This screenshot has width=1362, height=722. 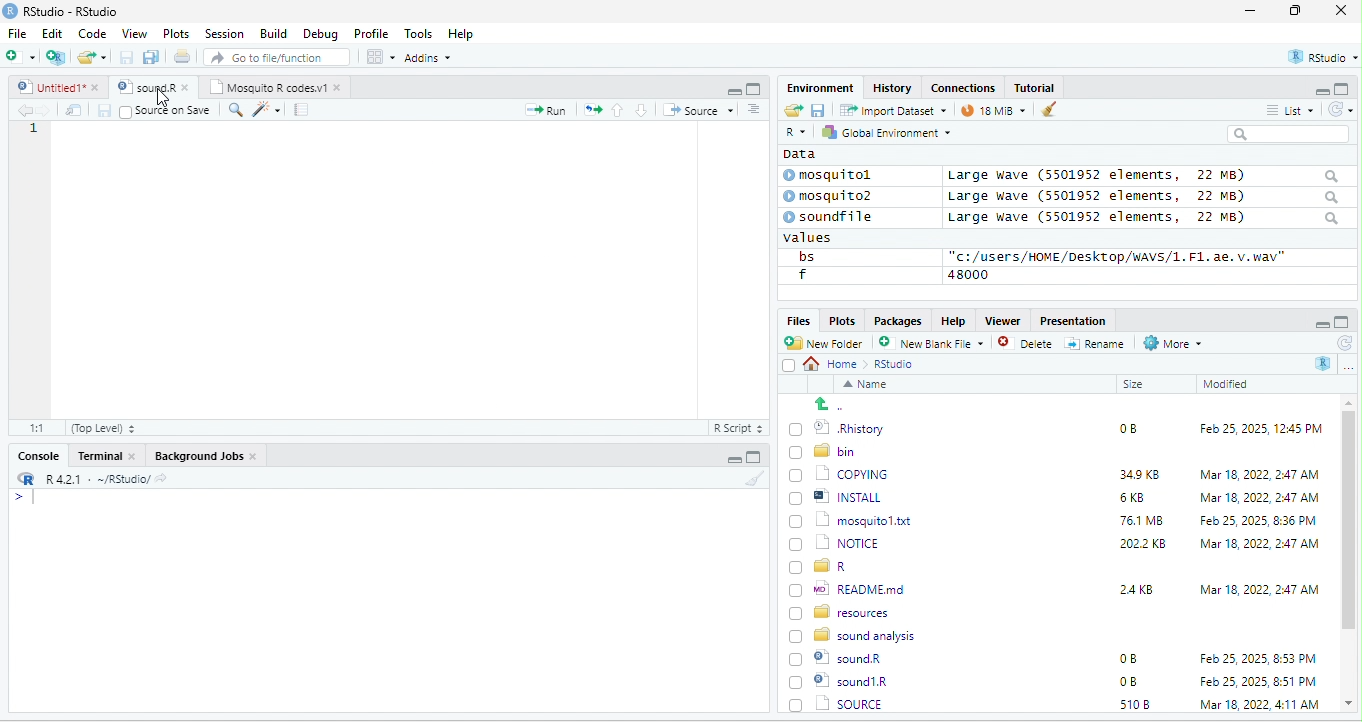 I want to click on Mosquito R codes.v1, so click(x=276, y=87).